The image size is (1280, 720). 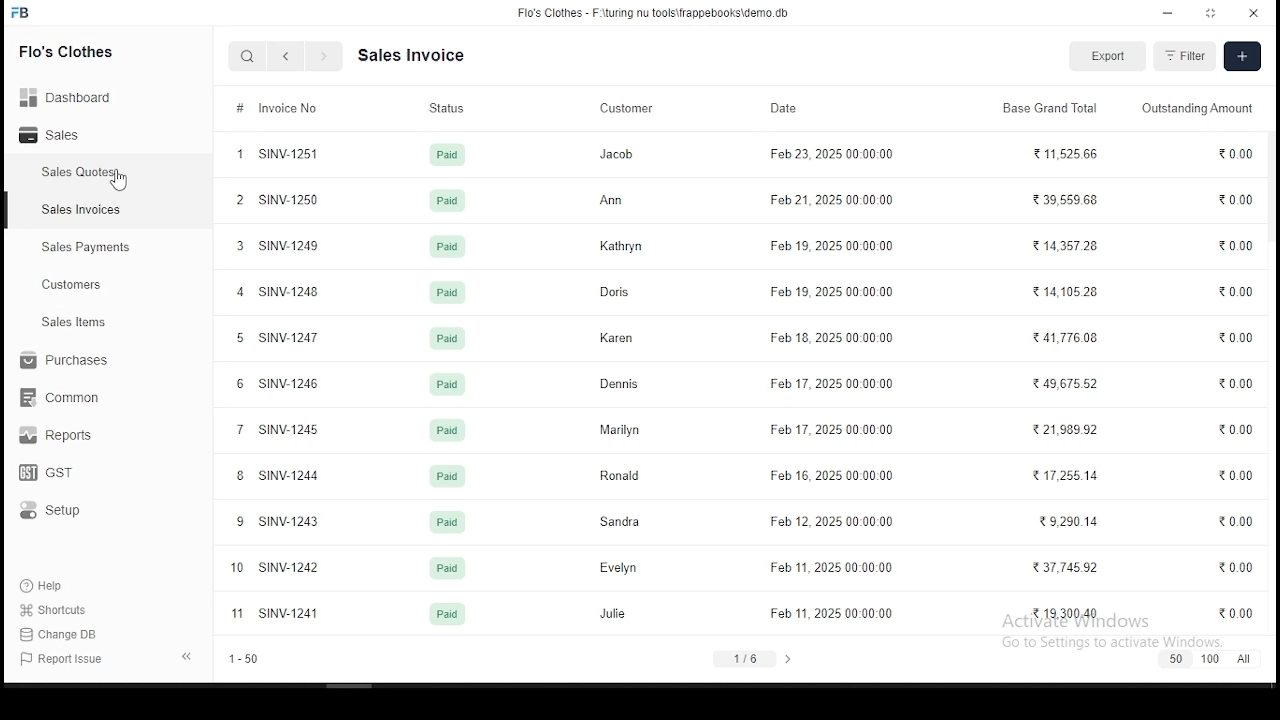 What do you see at coordinates (443, 155) in the screenshot?
I see `paid` at bounding box center [443, 155].